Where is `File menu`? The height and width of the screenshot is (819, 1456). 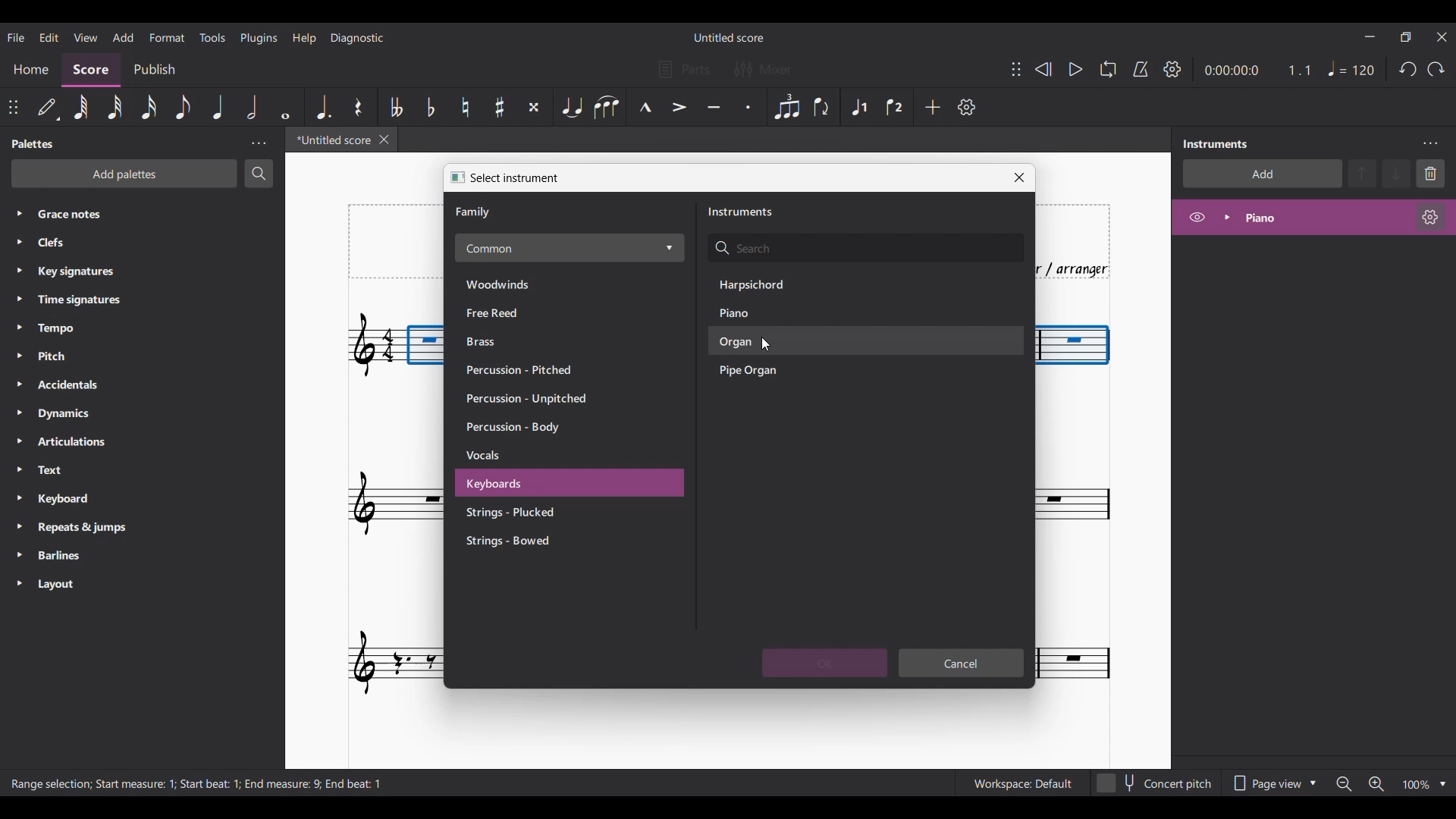
File menu is located at coordinates (15, 37).